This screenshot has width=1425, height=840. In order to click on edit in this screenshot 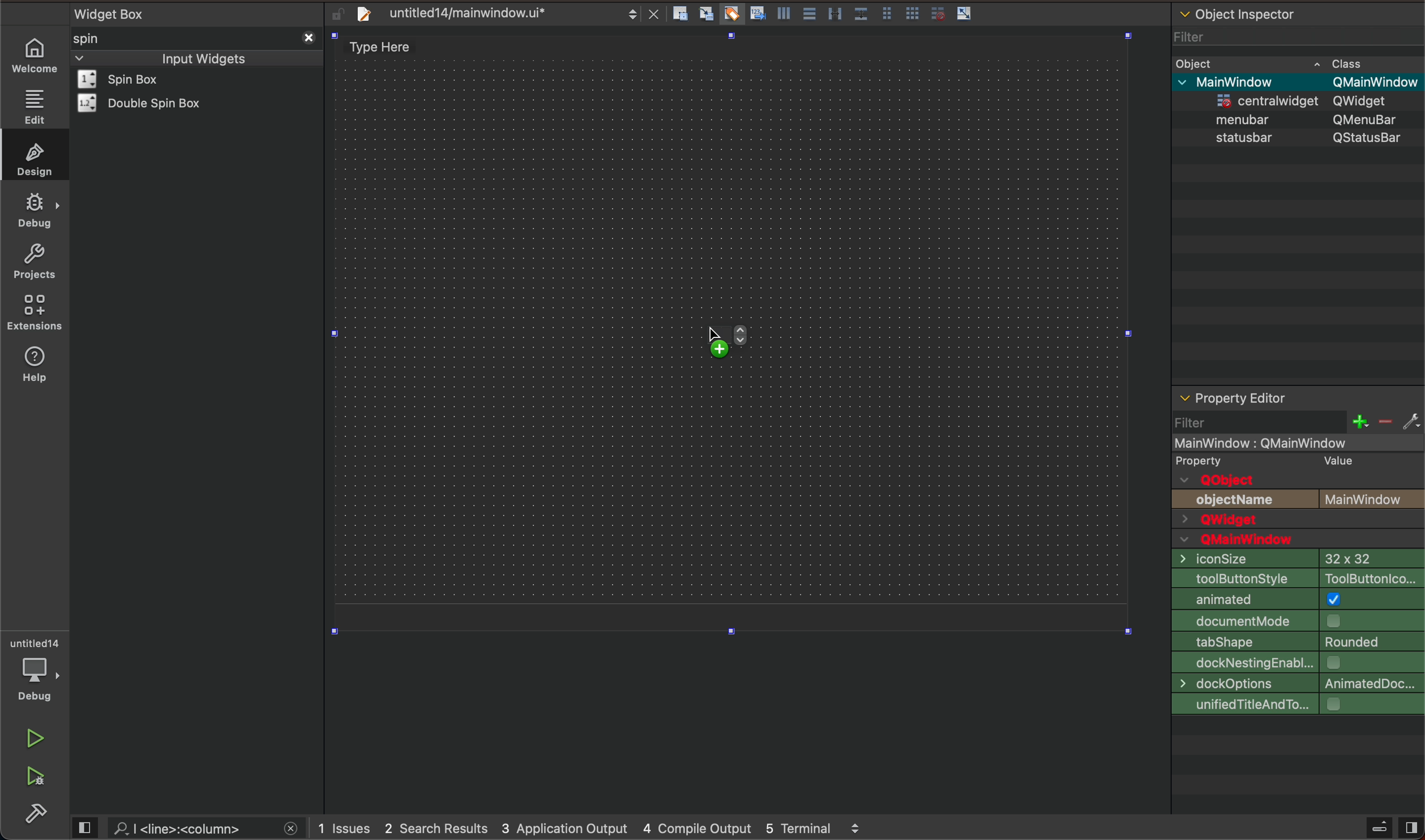, I will do `click(33, 106)`.